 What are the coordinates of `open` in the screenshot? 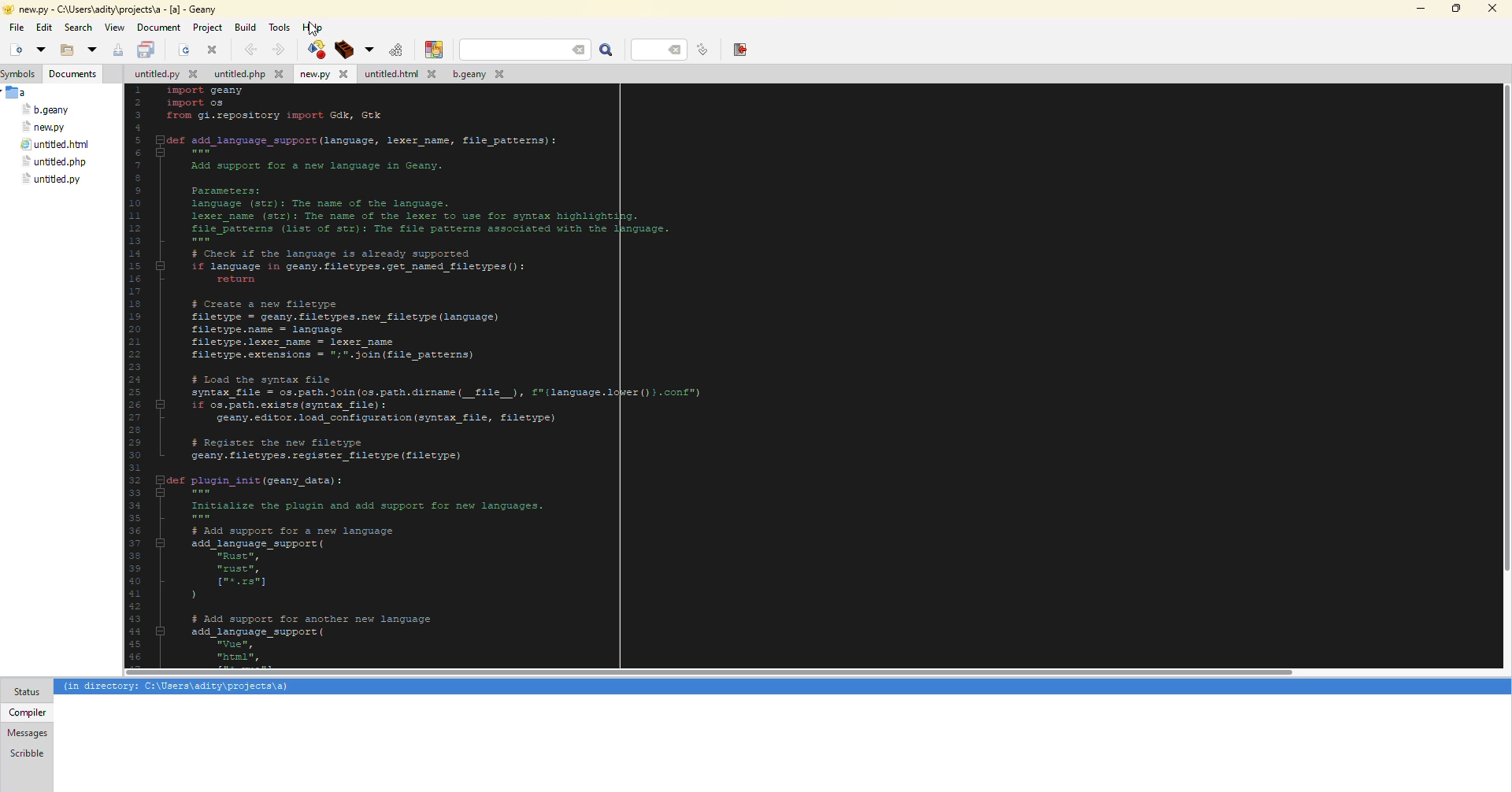 It's located at (91, 50).